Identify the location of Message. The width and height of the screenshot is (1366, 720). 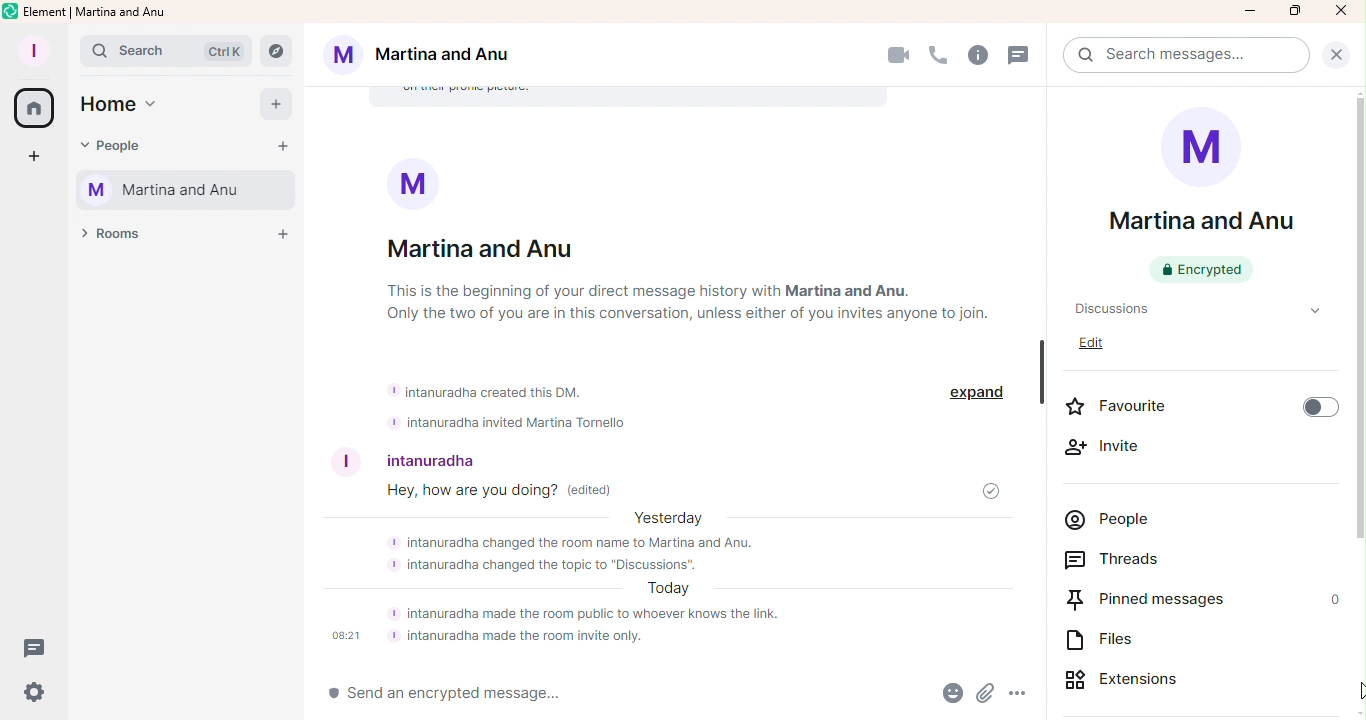
(488, 494).